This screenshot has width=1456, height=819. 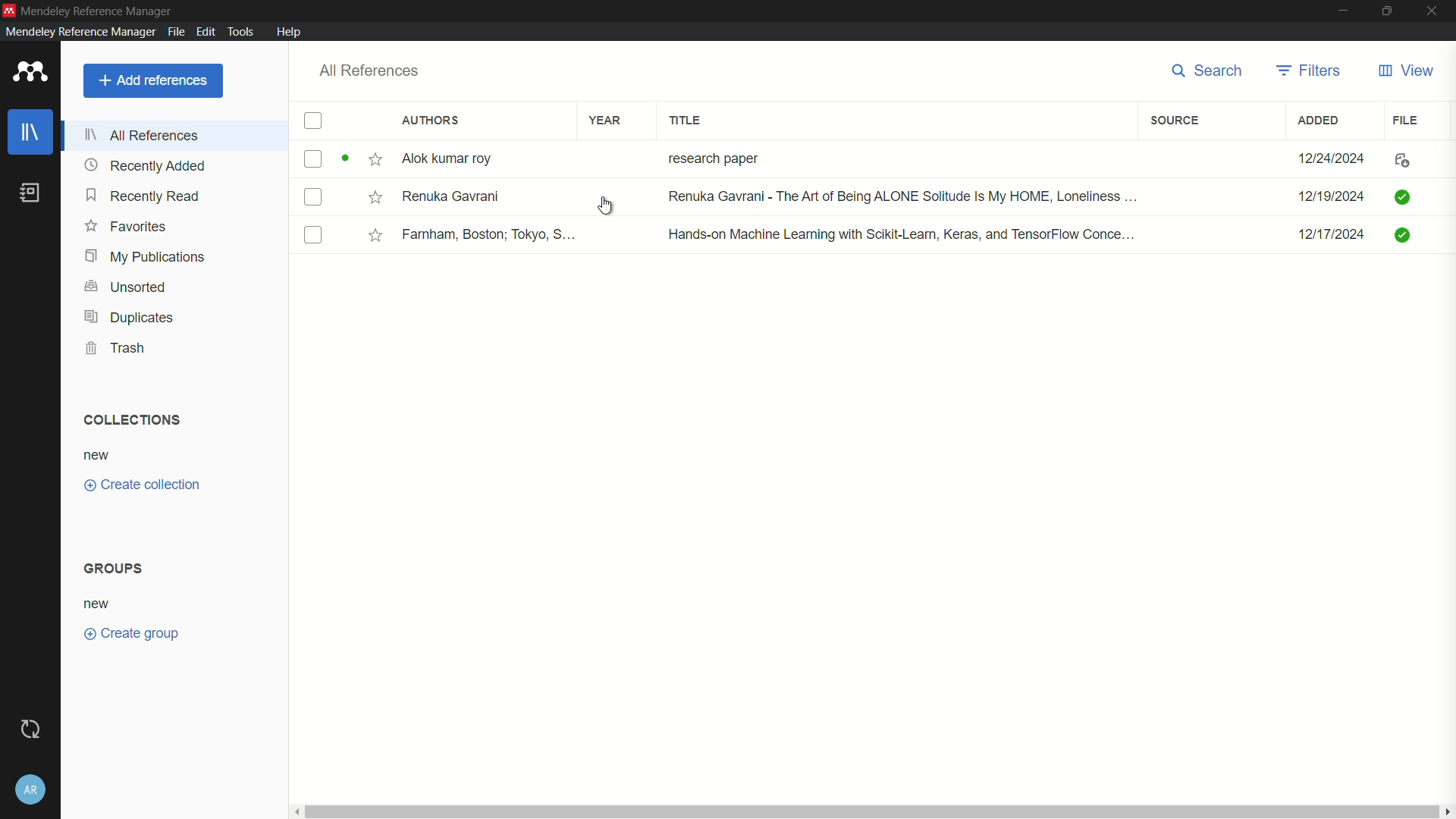 I want to click on file, so click(x=1406, y=121).